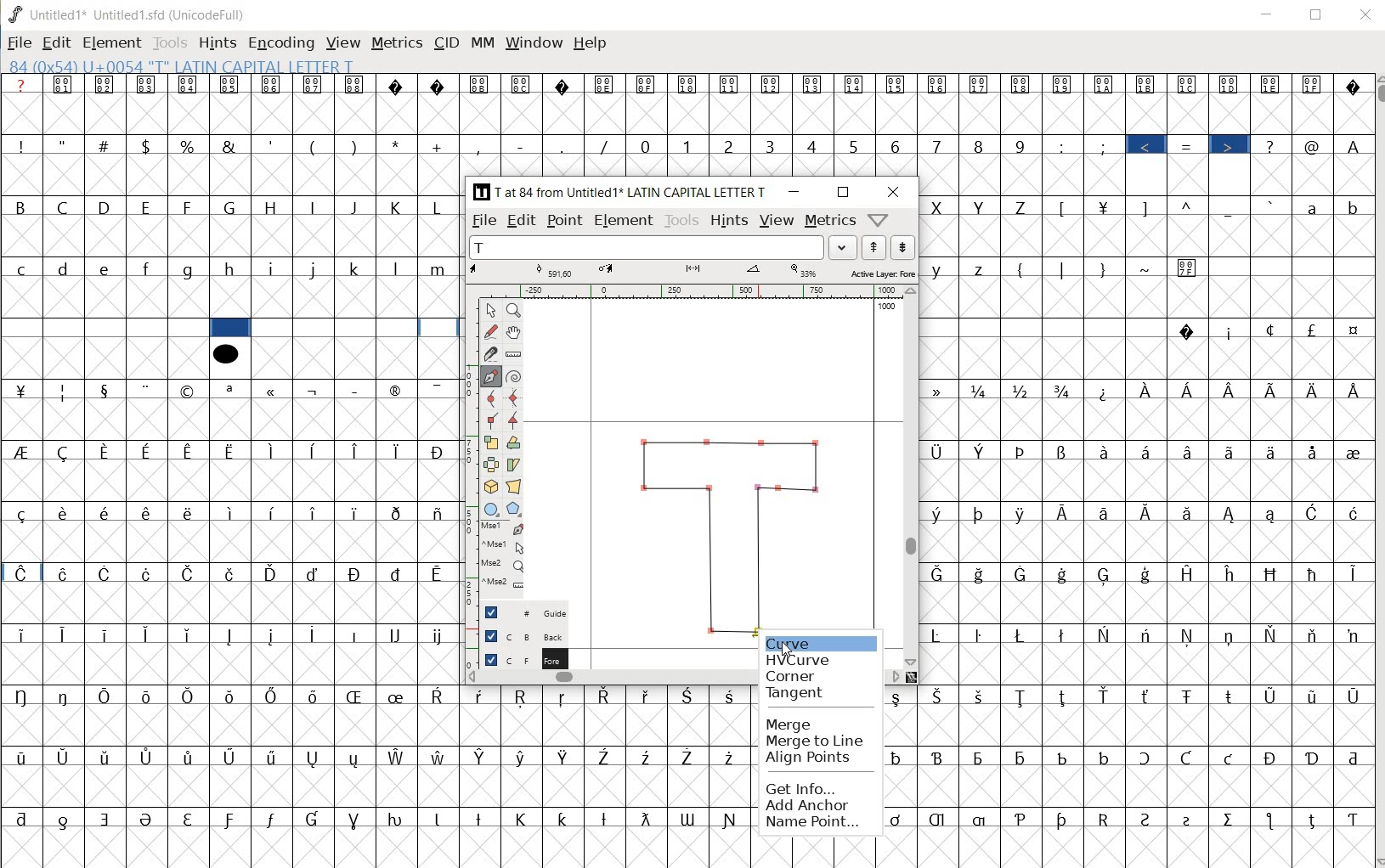 Image resolution: width=1385 pixels, height=868 pixels. Describe the element at coordinates (1272, 696) in the screenshot. I see `Symbol` at that location.